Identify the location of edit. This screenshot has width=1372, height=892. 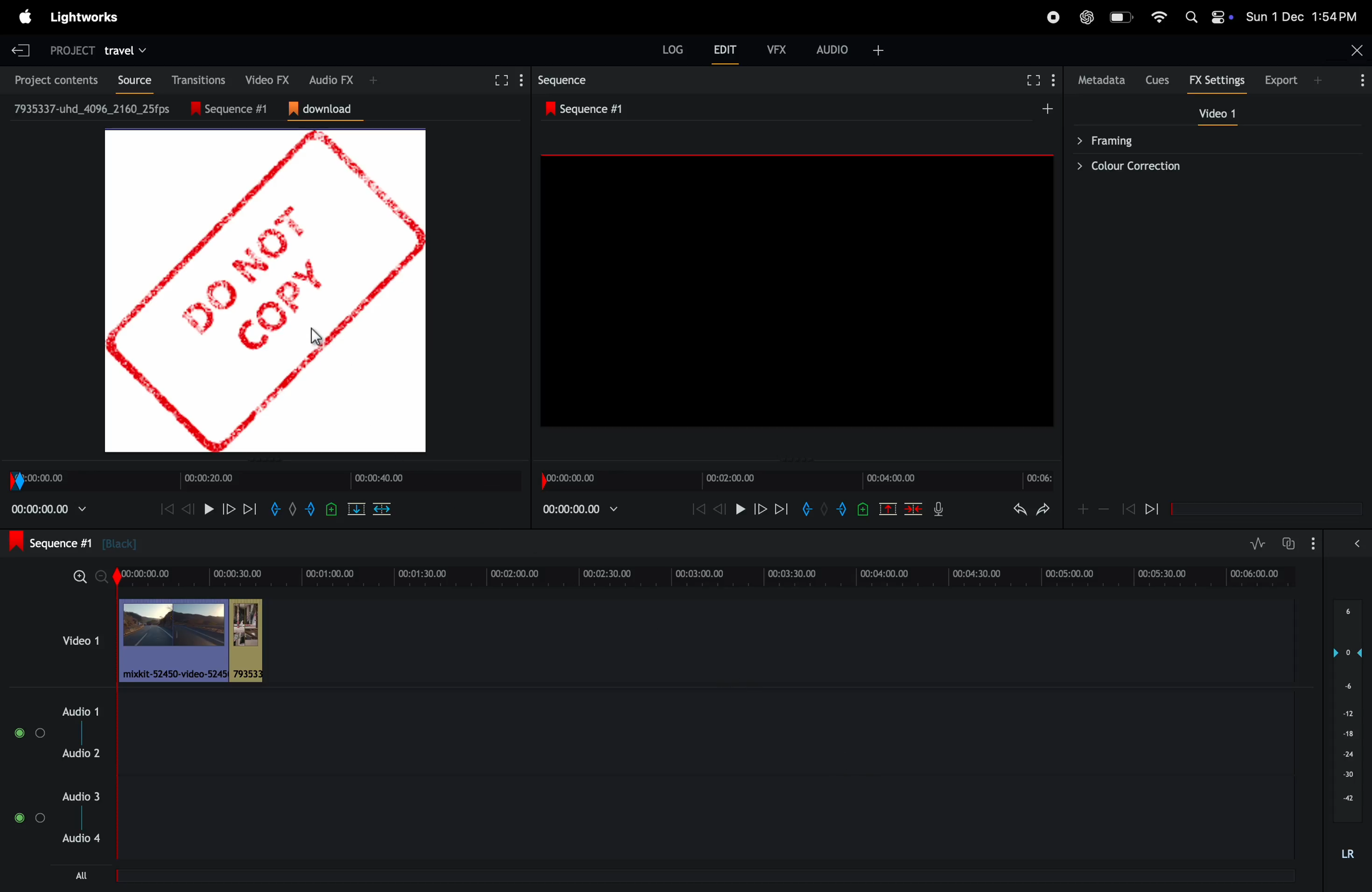
(725, 49).